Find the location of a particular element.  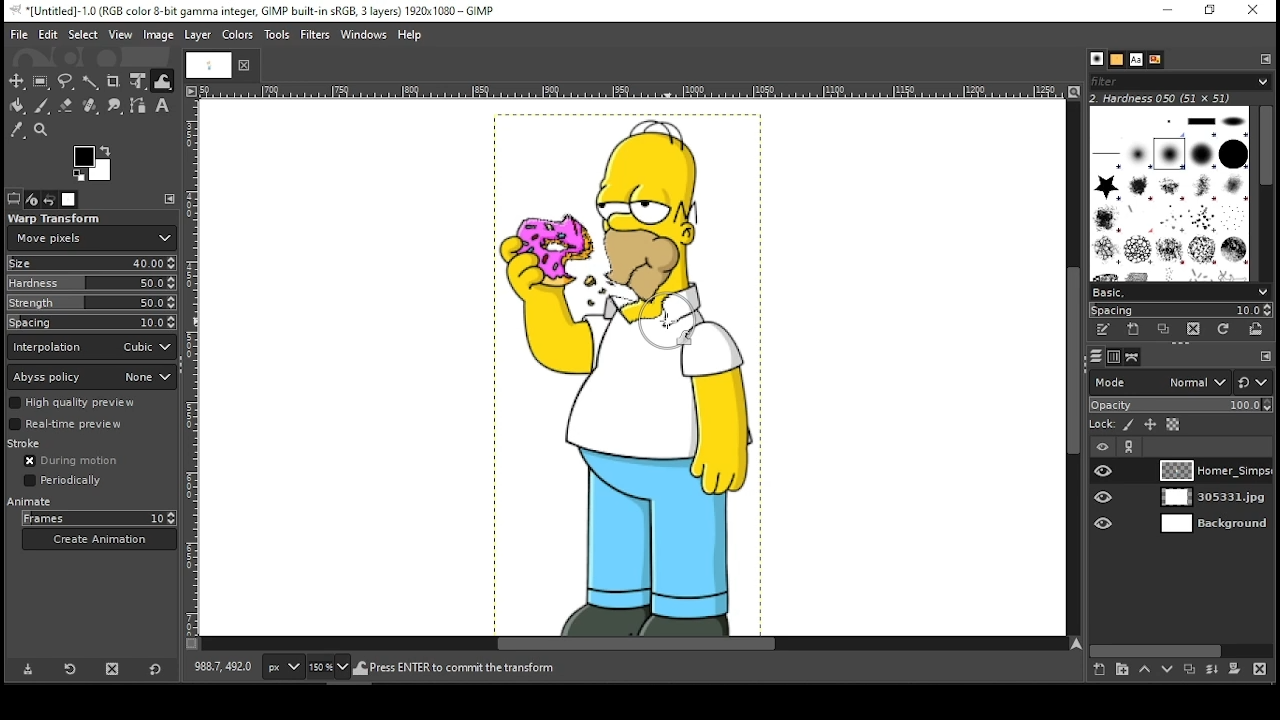

lock pixels is located at coordinates (1129, 425).